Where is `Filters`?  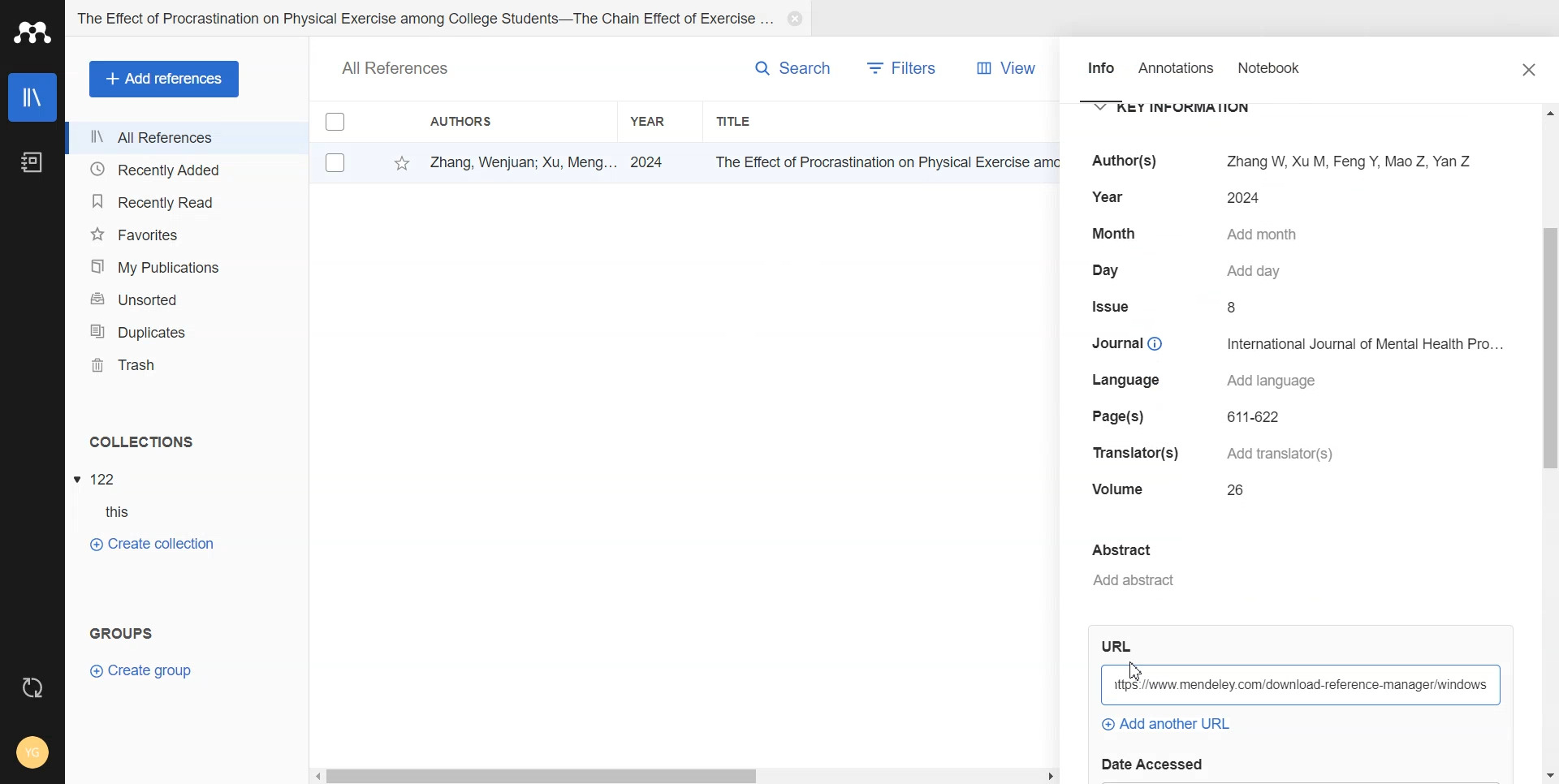 Filters is located at coordinates (906, 67).